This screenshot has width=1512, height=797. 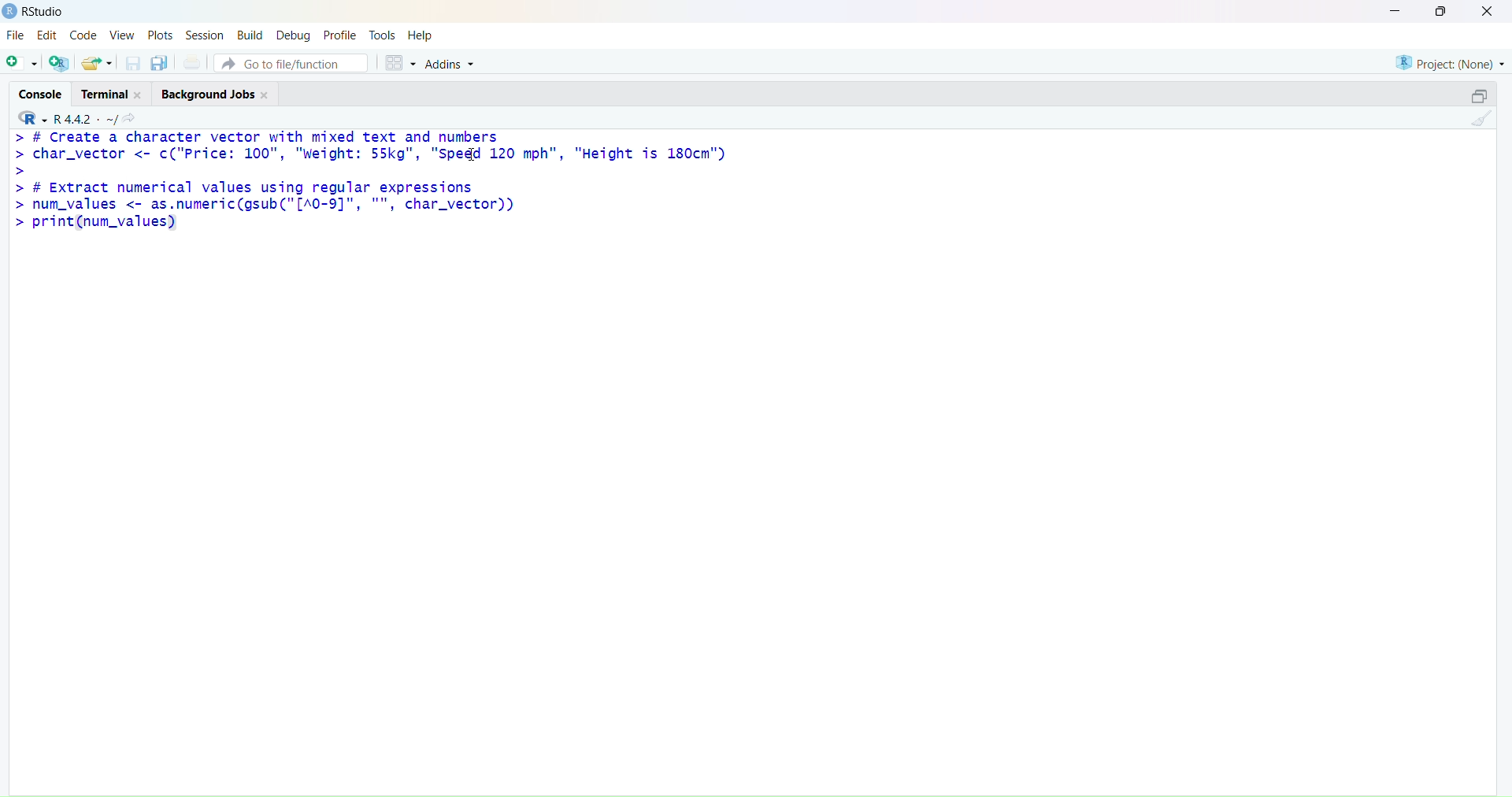 What do you see at coordinates (265, 95) in the screenshot?
I see `close` at bounding box center [265, 95].